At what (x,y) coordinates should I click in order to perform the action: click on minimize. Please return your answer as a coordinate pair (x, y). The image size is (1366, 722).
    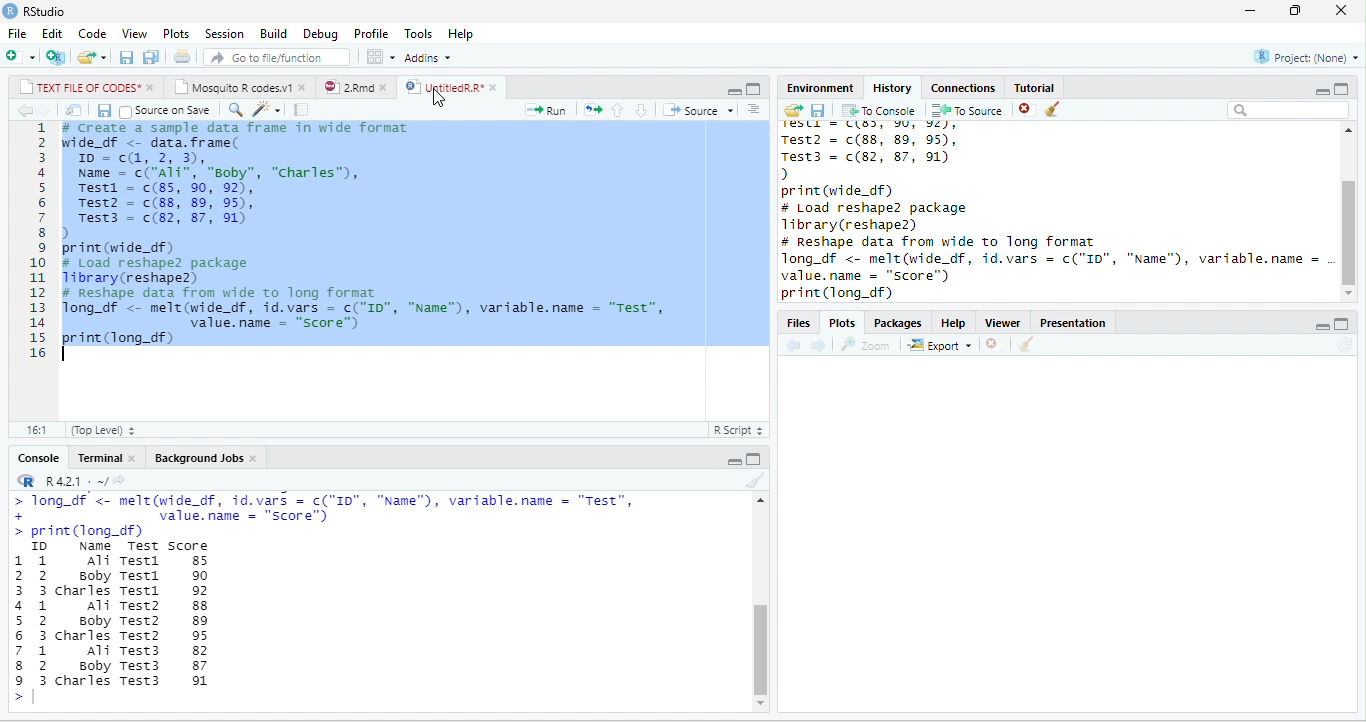
    Looking at the image, I should click on (1323, 91).